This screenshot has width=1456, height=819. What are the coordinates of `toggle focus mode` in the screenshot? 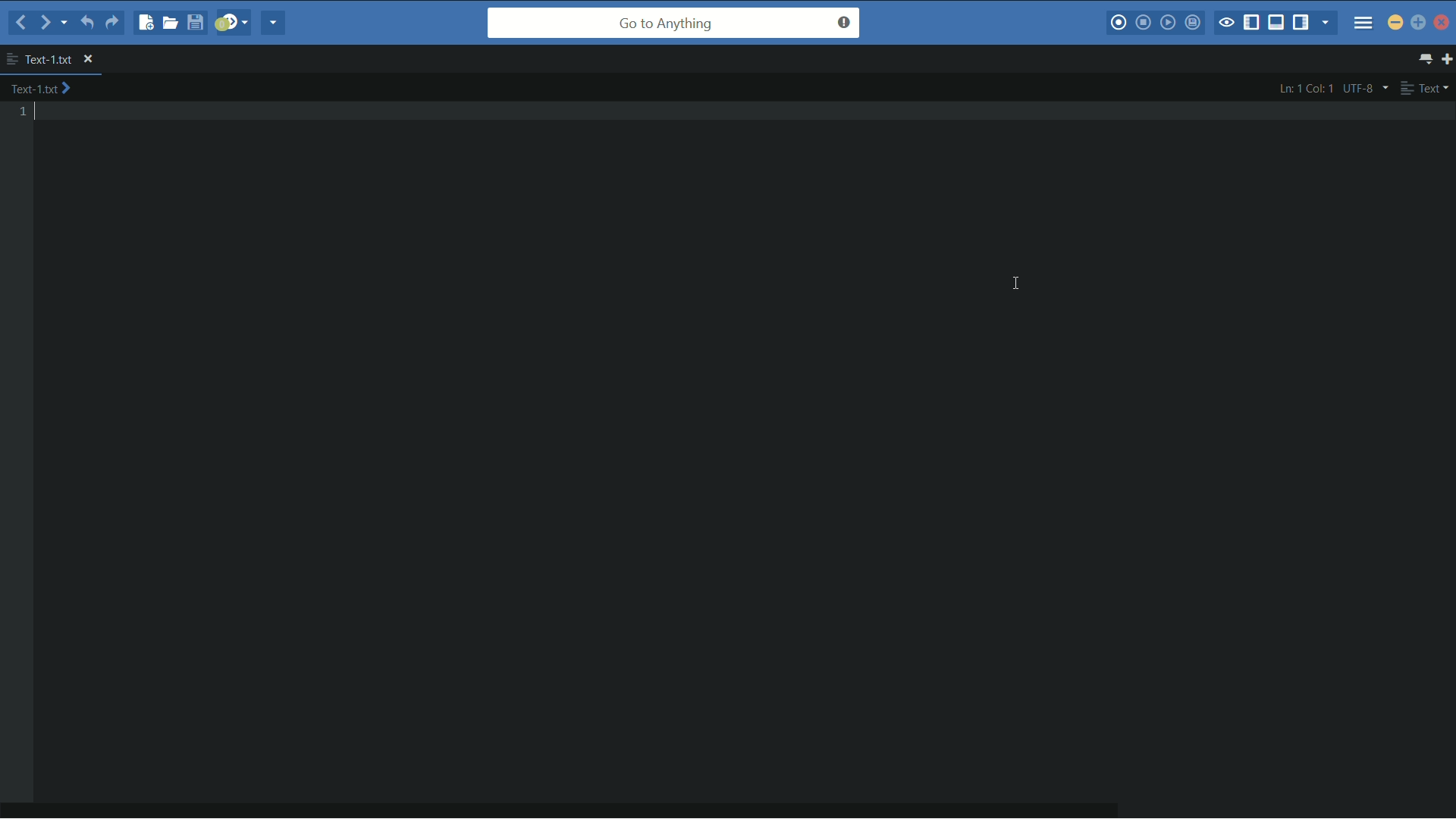 It's located at (1226, 23).